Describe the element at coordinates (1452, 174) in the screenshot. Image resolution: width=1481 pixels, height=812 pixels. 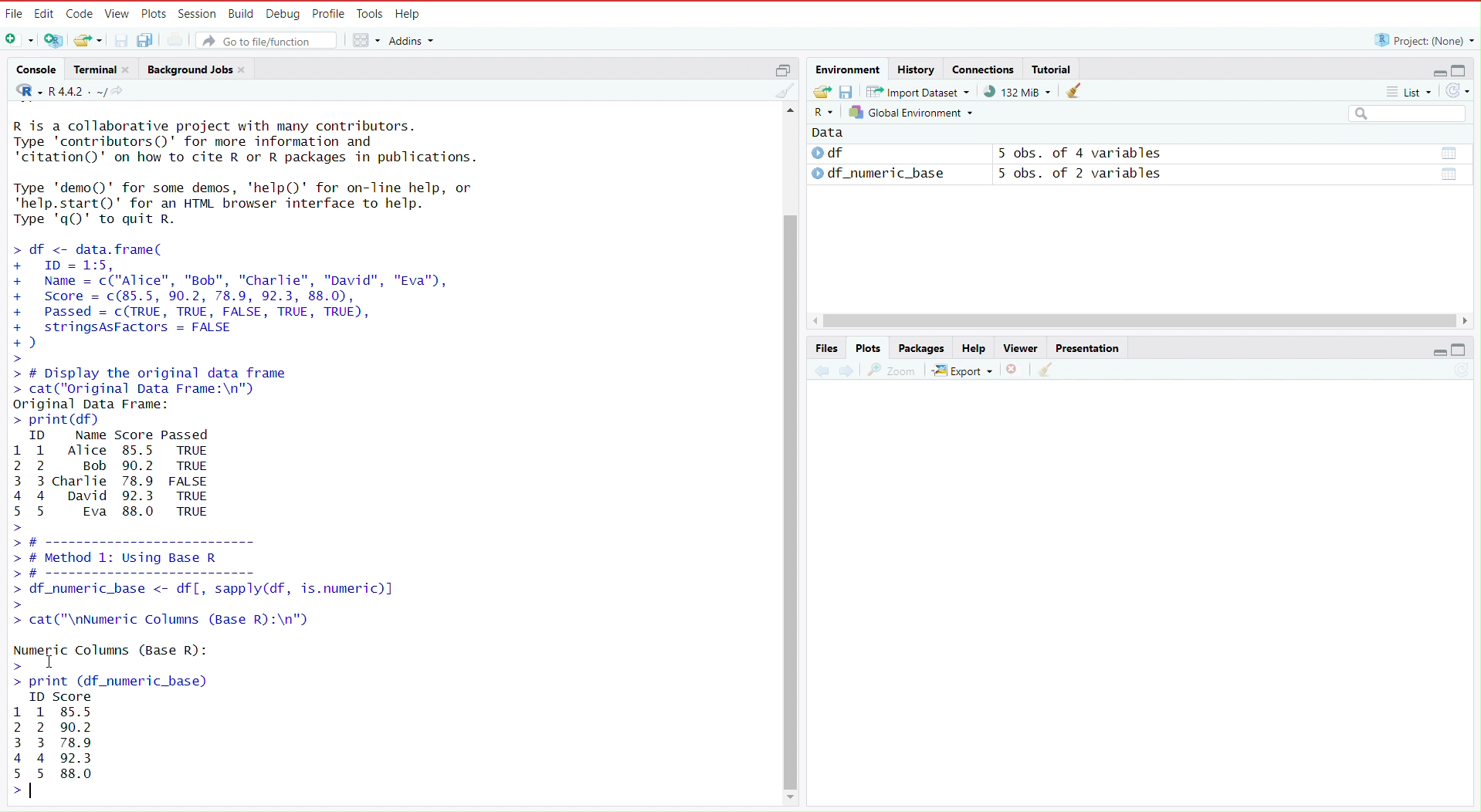
I see `table` at that location.